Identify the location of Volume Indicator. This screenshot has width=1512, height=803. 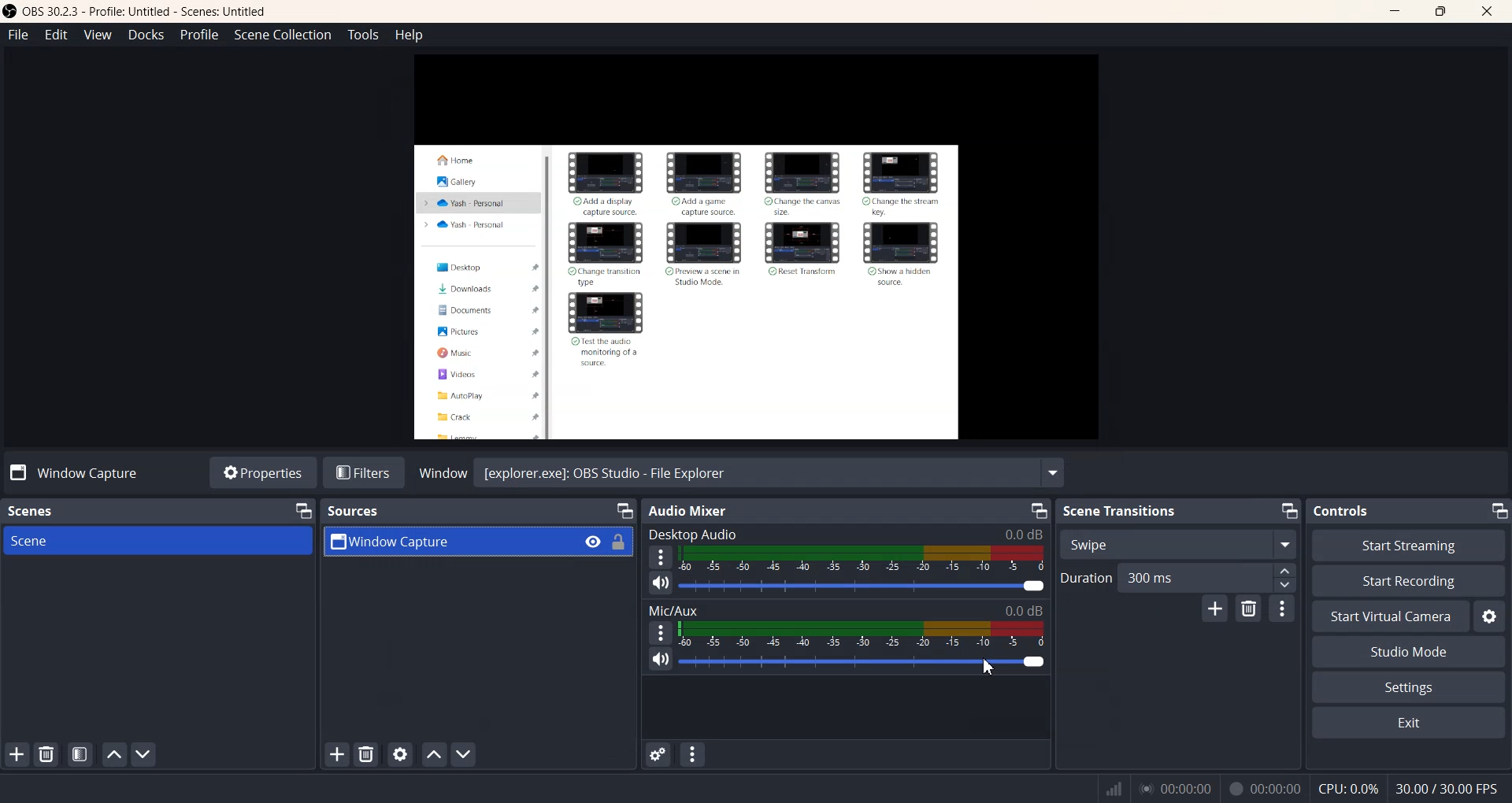
(864, 558).